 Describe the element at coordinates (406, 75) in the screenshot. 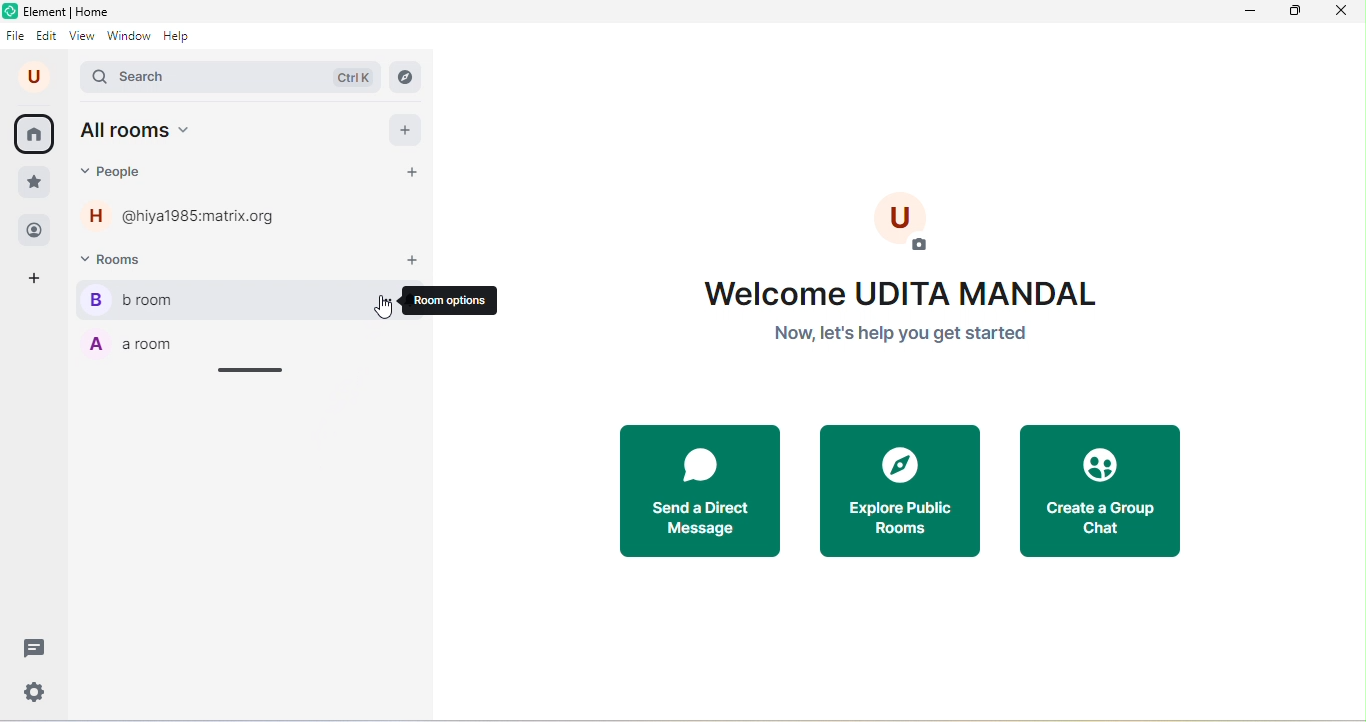

I see `explore rooms` at that location.